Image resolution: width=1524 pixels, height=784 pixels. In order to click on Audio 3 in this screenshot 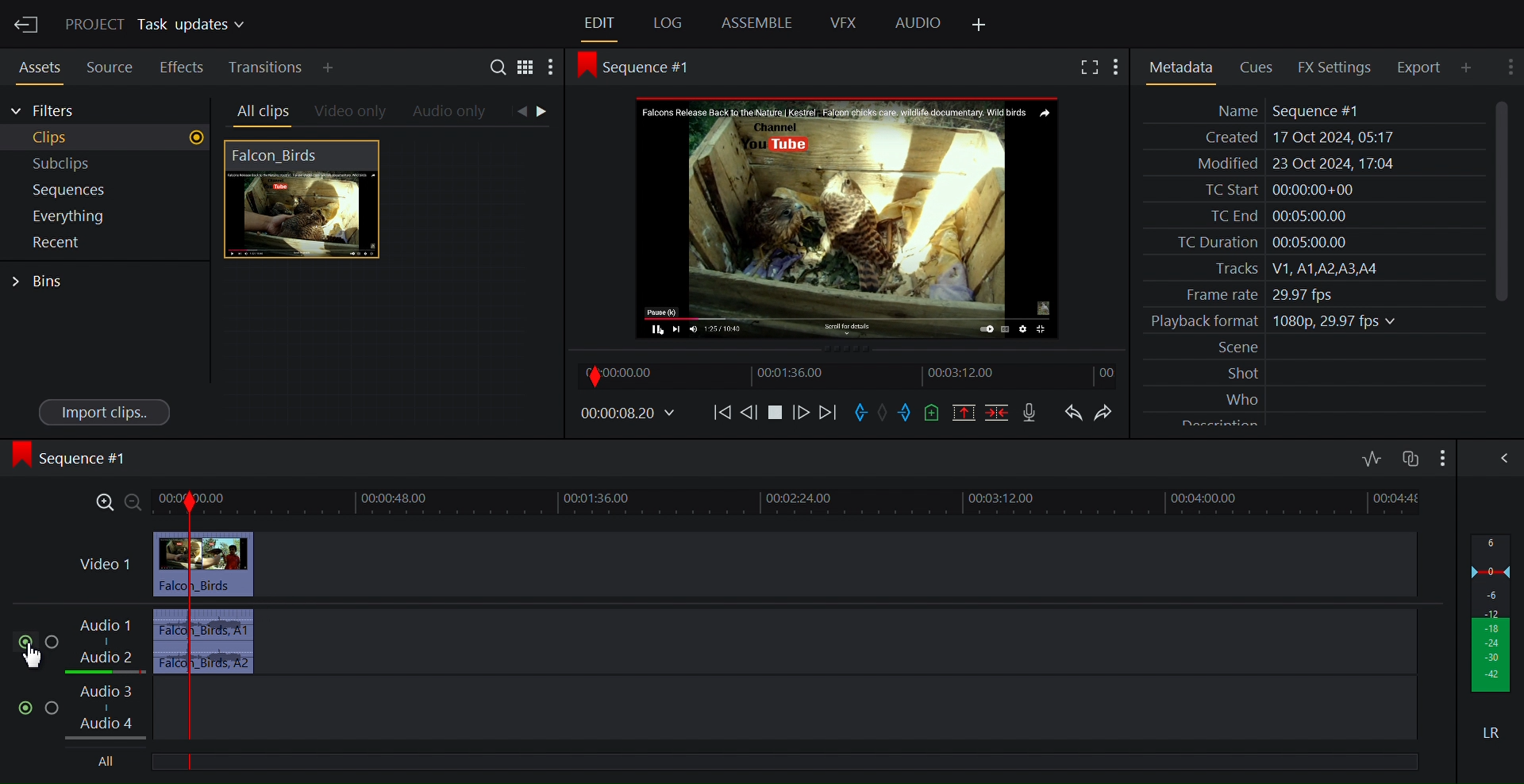, I will do `click(106, 698)`.